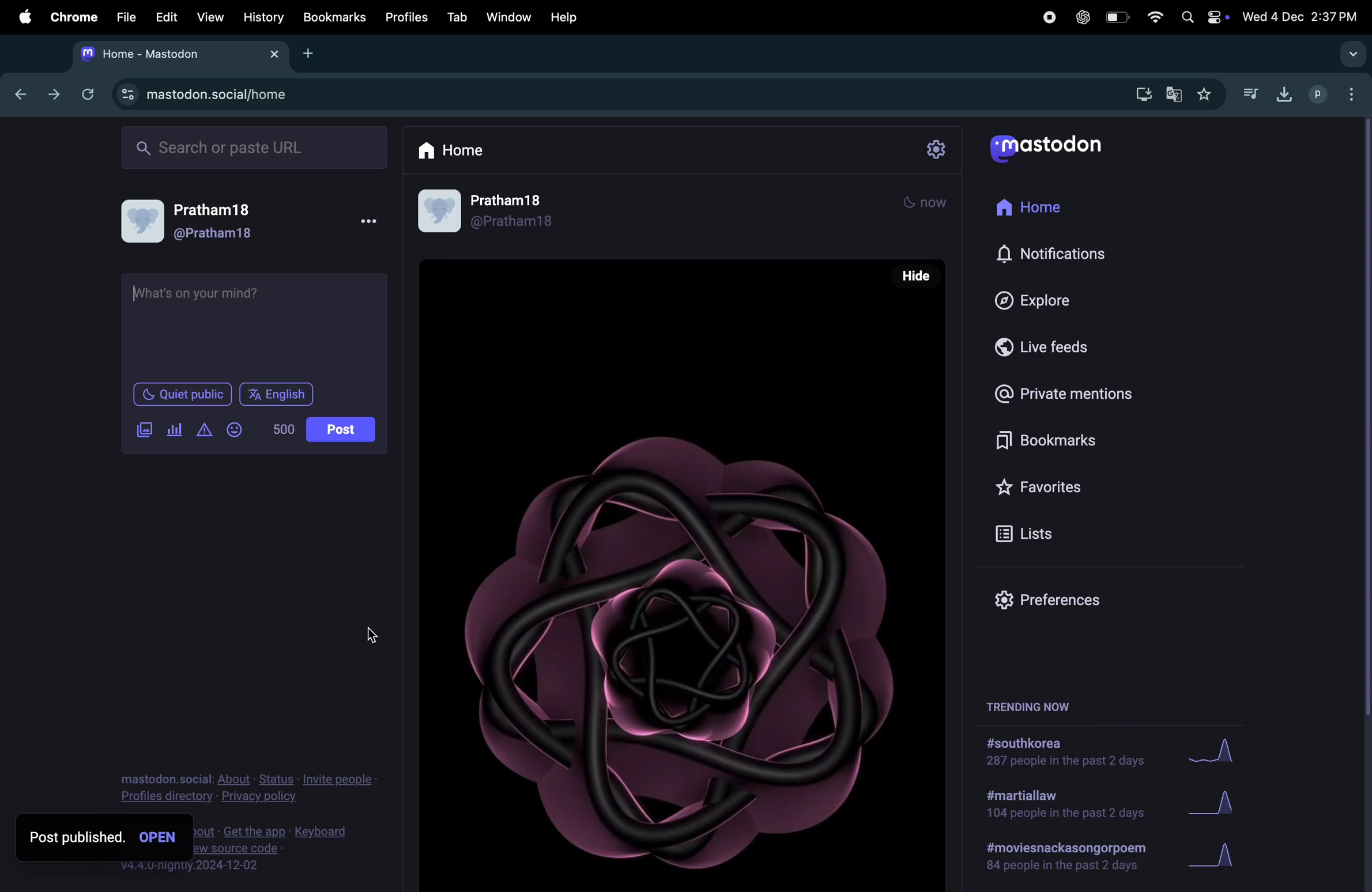 The width and height of the screenshot is (1372, 892). I want to click on post published, so click(76, 836).